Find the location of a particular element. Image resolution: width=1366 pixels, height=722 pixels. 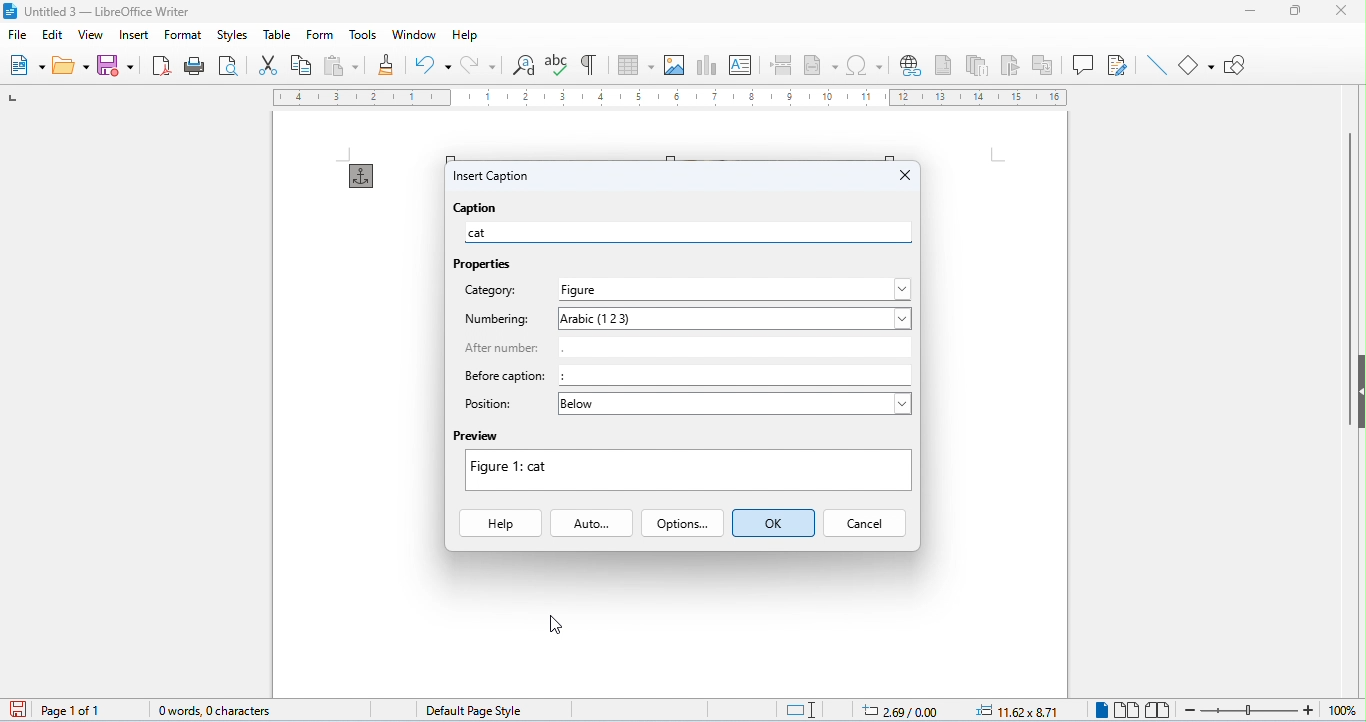

insert special characters is located at coordinates (866, 65).